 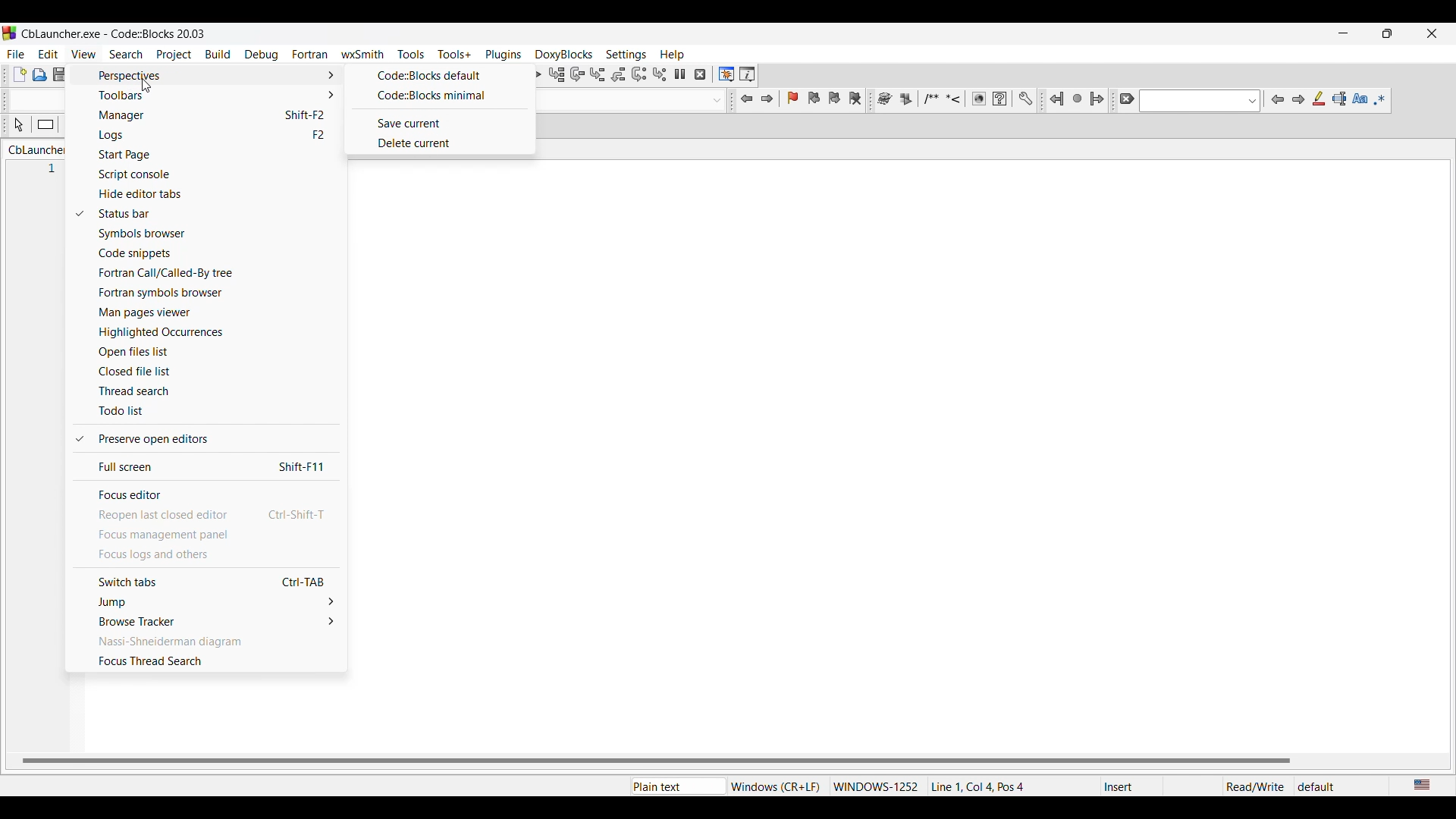 I want to click on Fortran menu, so click(x=310, y=55).